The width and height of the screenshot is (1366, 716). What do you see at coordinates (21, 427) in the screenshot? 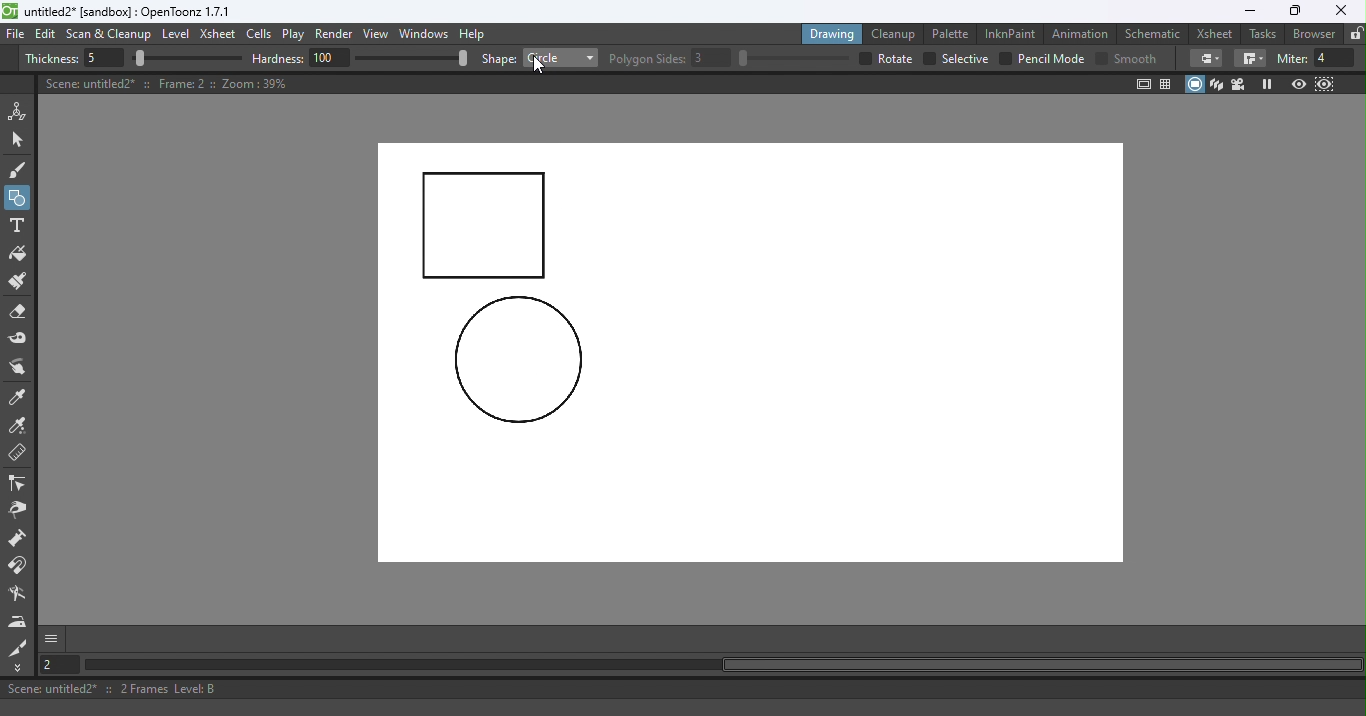
I see `RGB picker tool` at bounding box center [21, 427].